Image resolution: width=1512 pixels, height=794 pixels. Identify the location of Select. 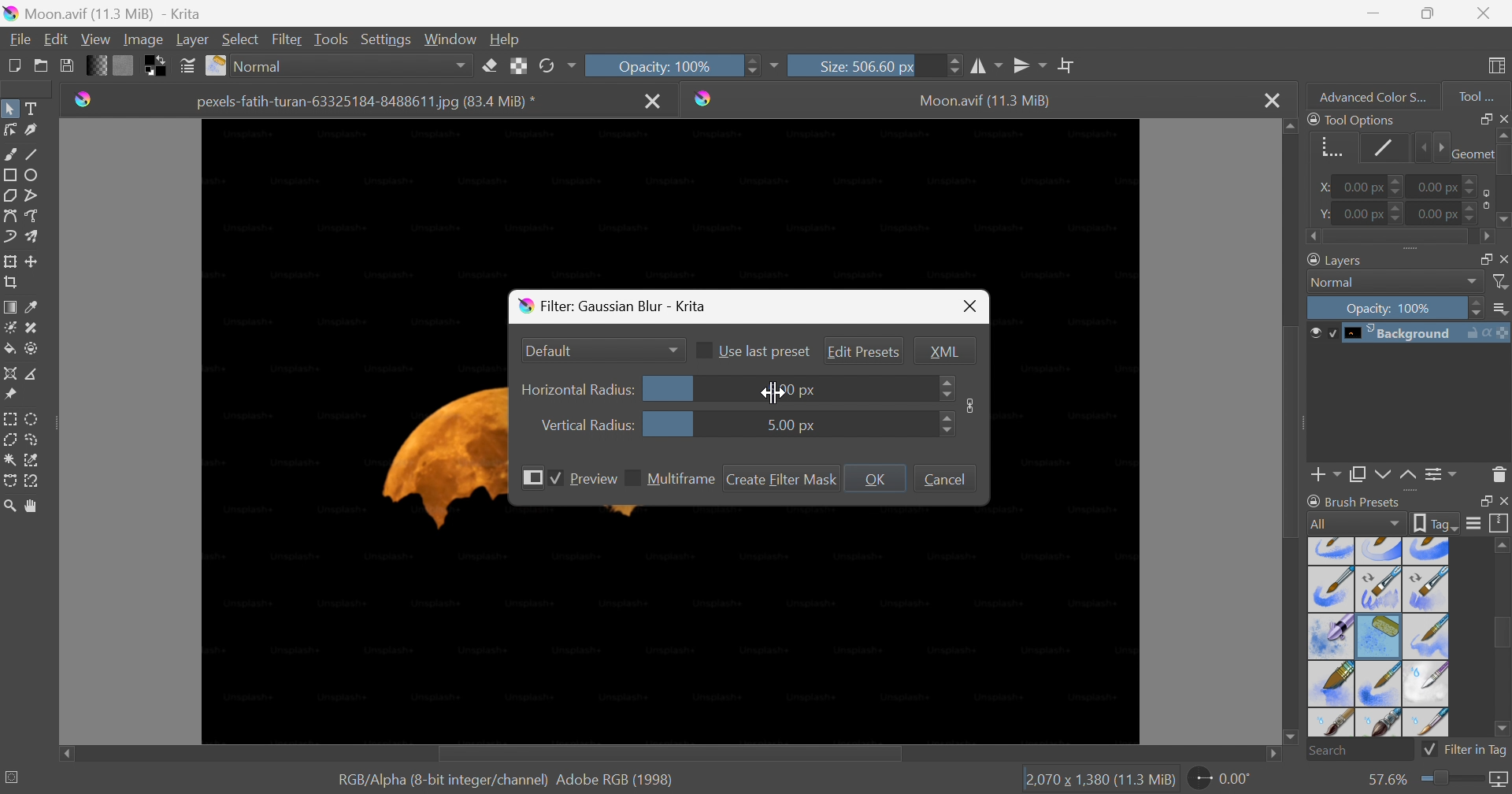
(241, 39).